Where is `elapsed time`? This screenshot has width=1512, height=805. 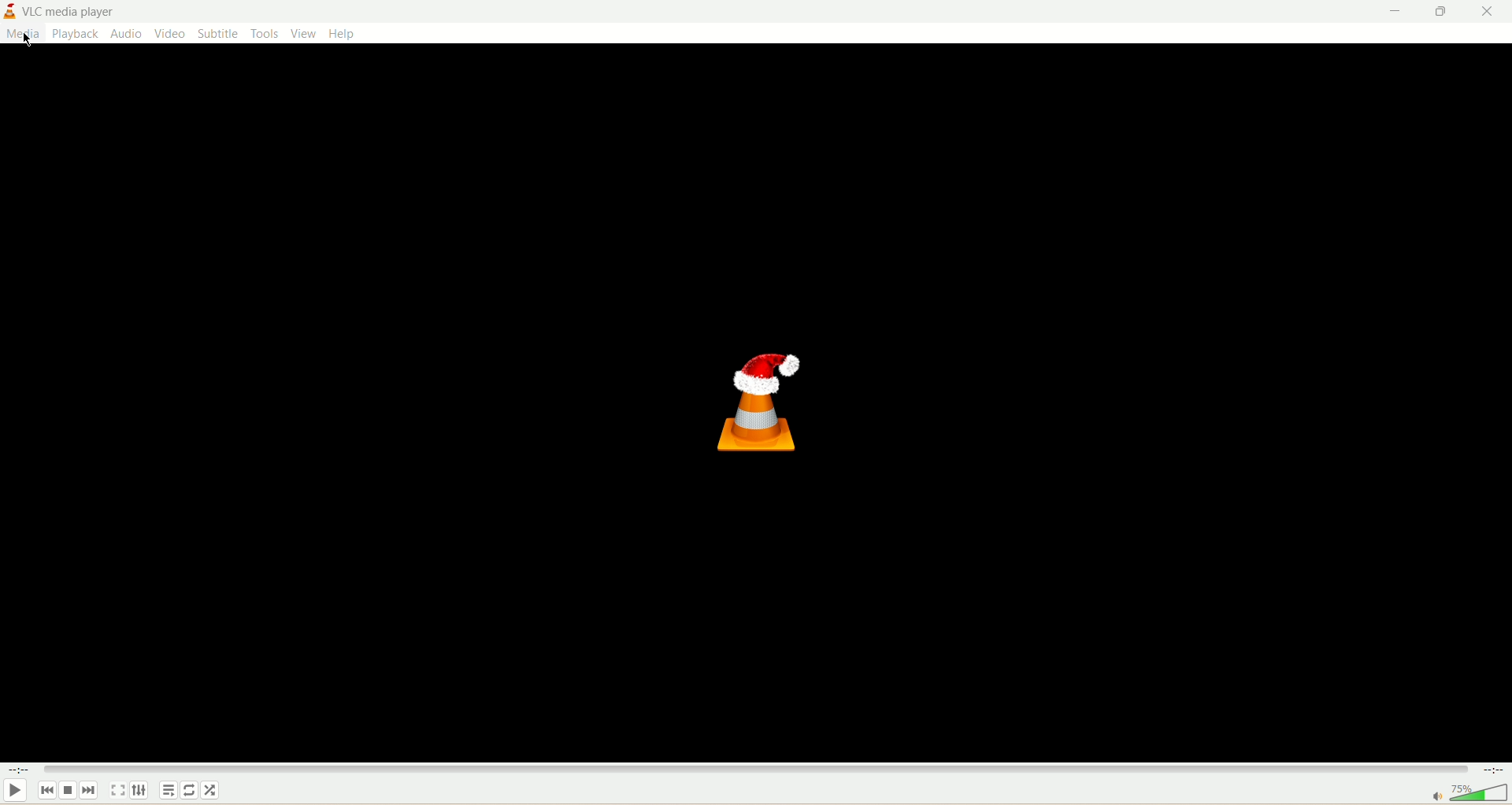
elapsed time is located at coordinates (20, 772).